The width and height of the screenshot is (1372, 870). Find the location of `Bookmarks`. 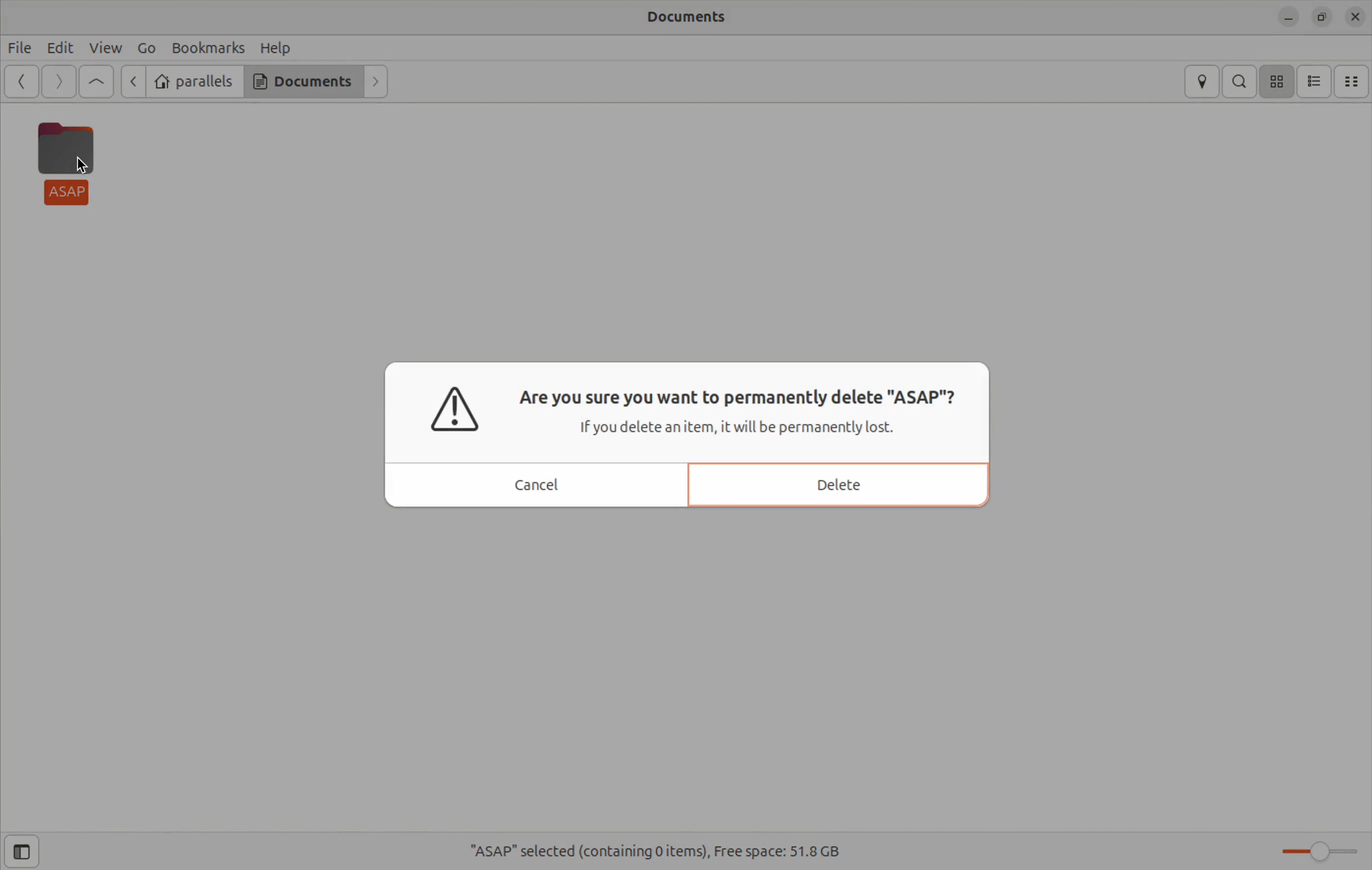

Bookmarks is located at coordinates (209, 47).